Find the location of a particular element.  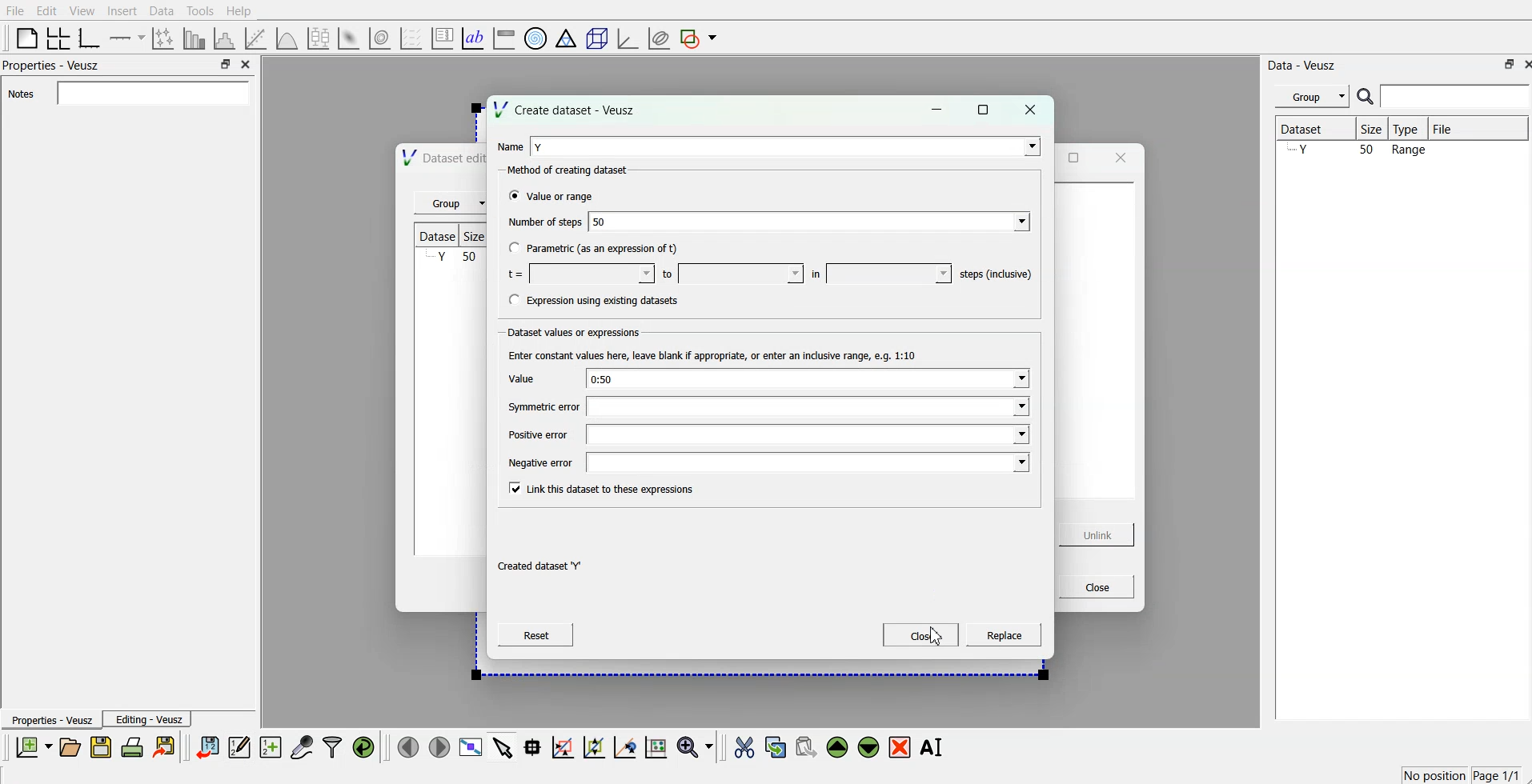

copy the selected widgets is located at coordinates (776, 748).